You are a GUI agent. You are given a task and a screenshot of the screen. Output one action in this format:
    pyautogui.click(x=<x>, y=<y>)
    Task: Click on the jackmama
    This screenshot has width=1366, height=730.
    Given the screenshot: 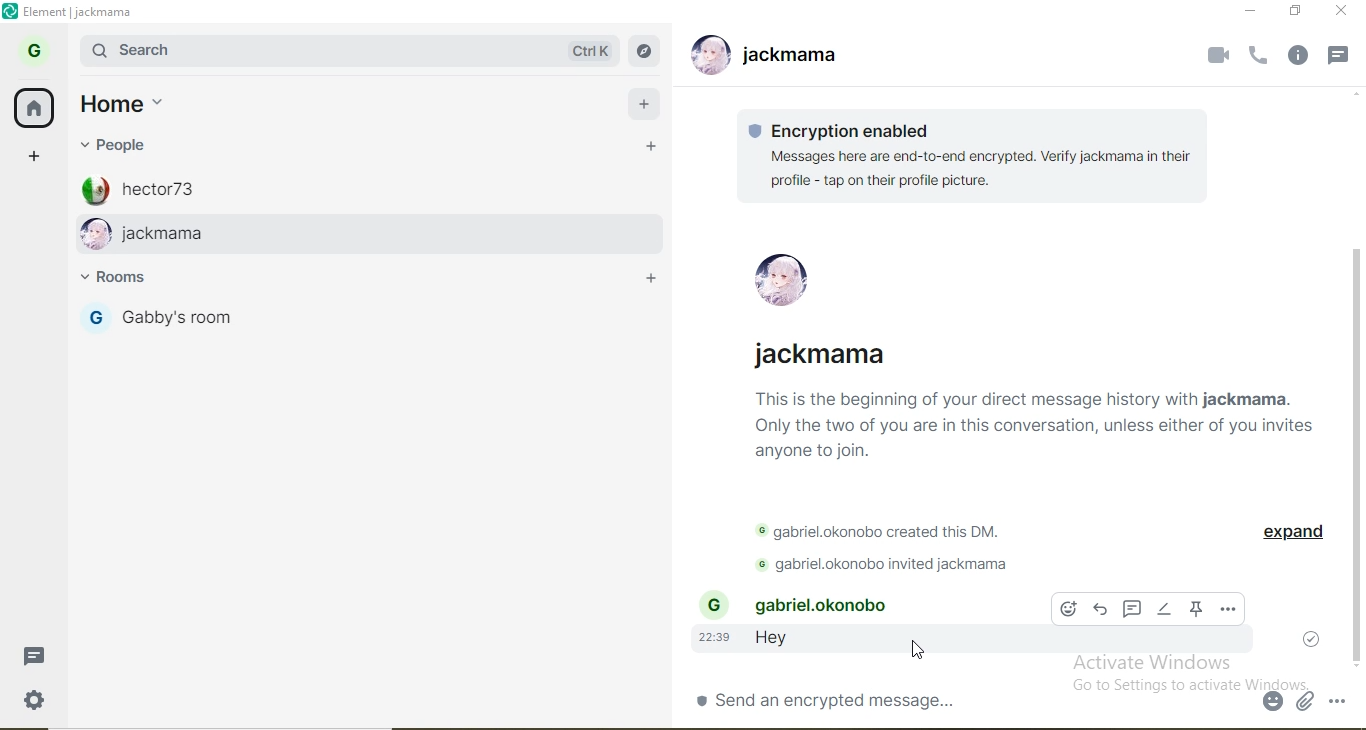 What is the action you would take?
    pyautogui.click(x=386, y=233)
    